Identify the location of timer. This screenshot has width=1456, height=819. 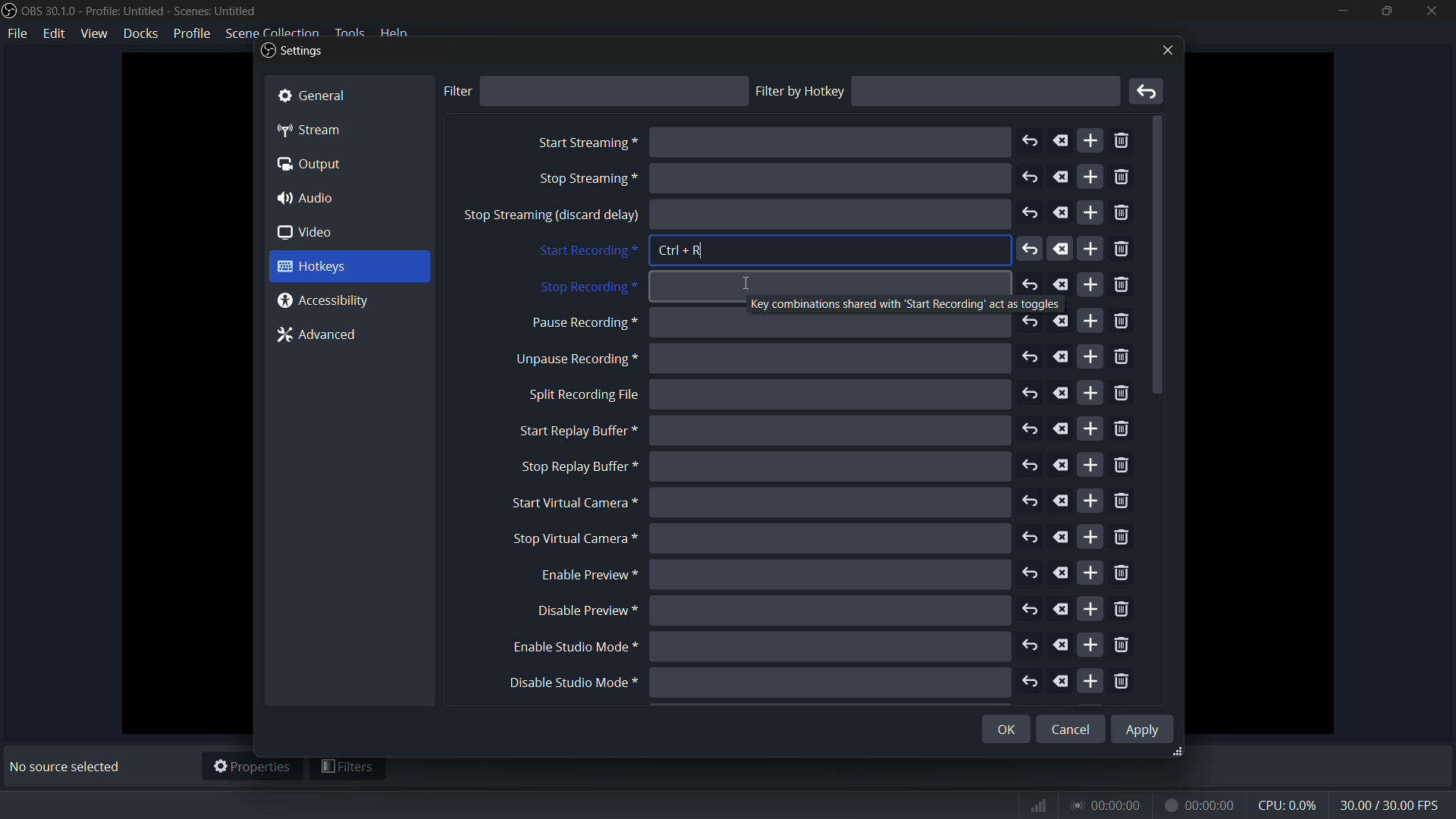
(1132, 805).